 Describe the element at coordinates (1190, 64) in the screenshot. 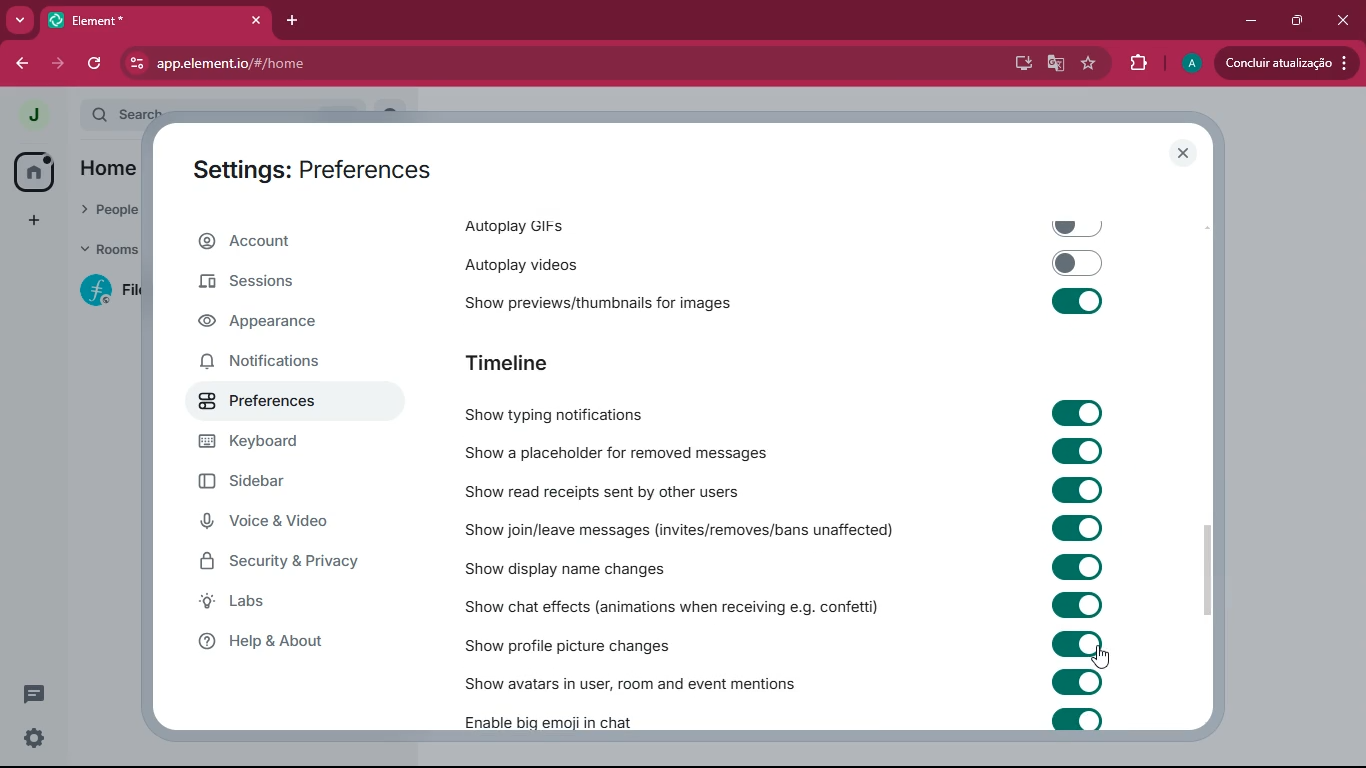

I see `profile picture` at that location.